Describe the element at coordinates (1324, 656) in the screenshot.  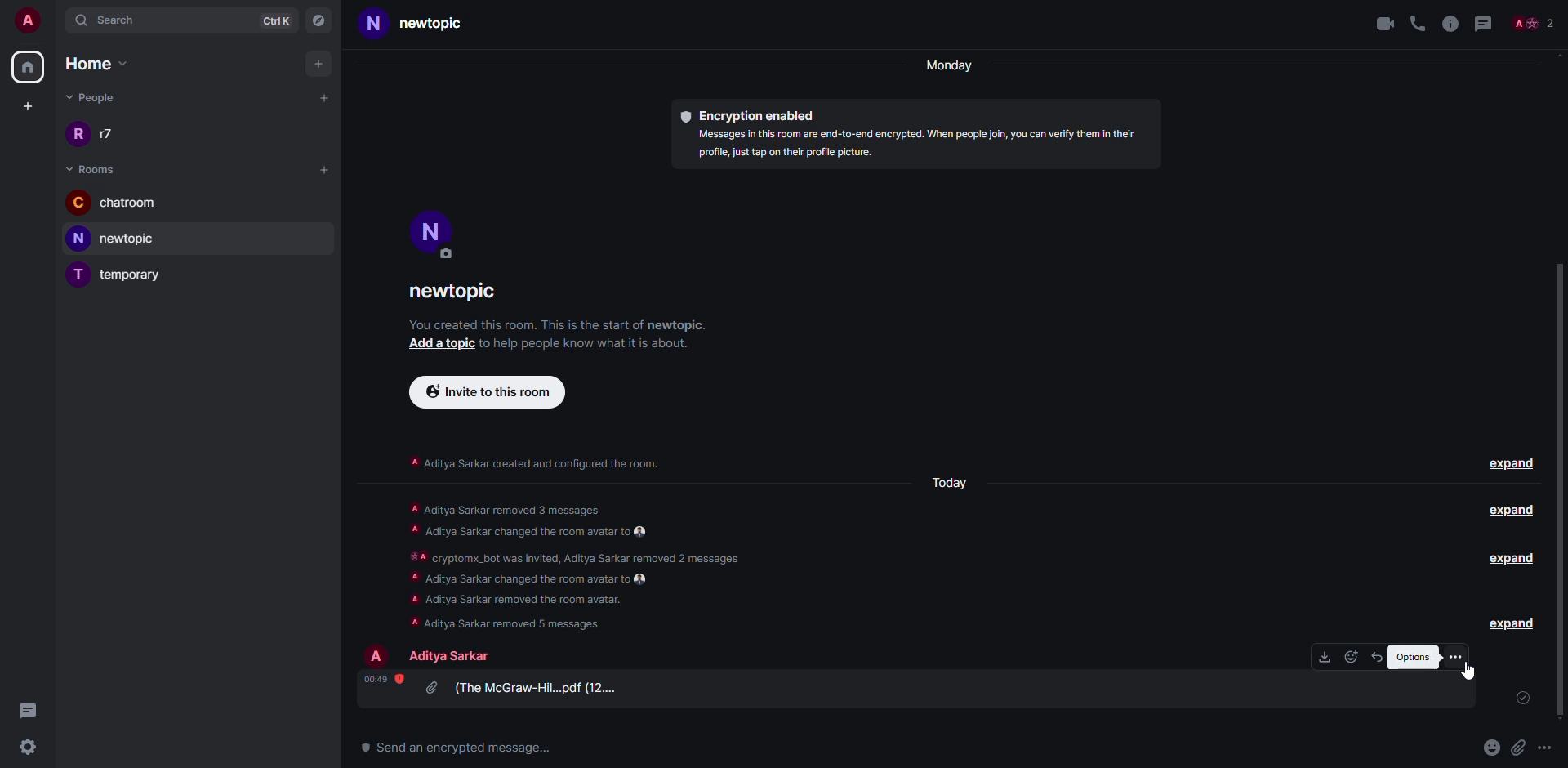
I see `downloads` at that location.